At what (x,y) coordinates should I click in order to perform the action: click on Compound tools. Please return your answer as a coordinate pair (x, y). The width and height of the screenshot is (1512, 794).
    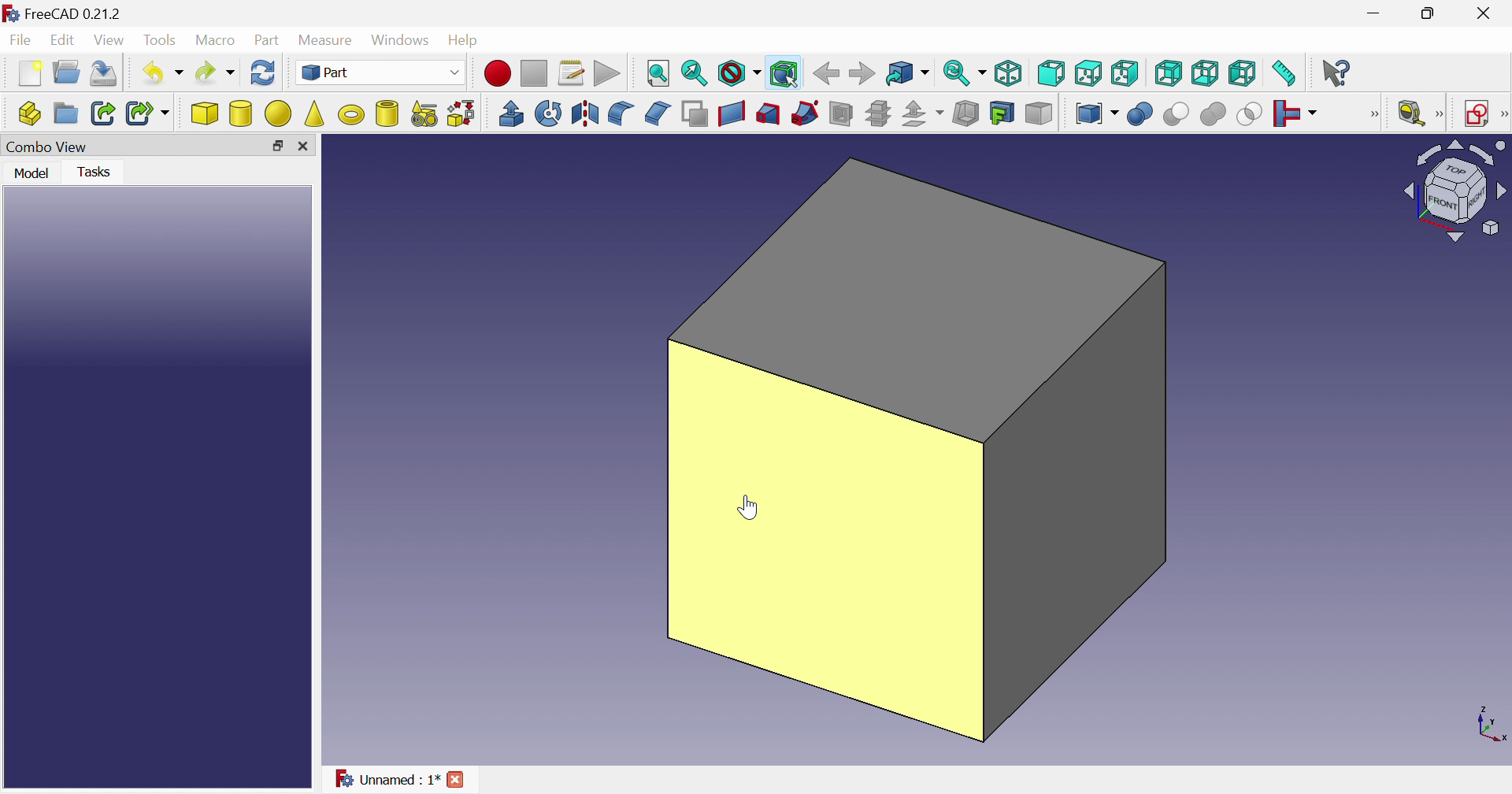
    Looking at the image, I should click on (1096, 113).